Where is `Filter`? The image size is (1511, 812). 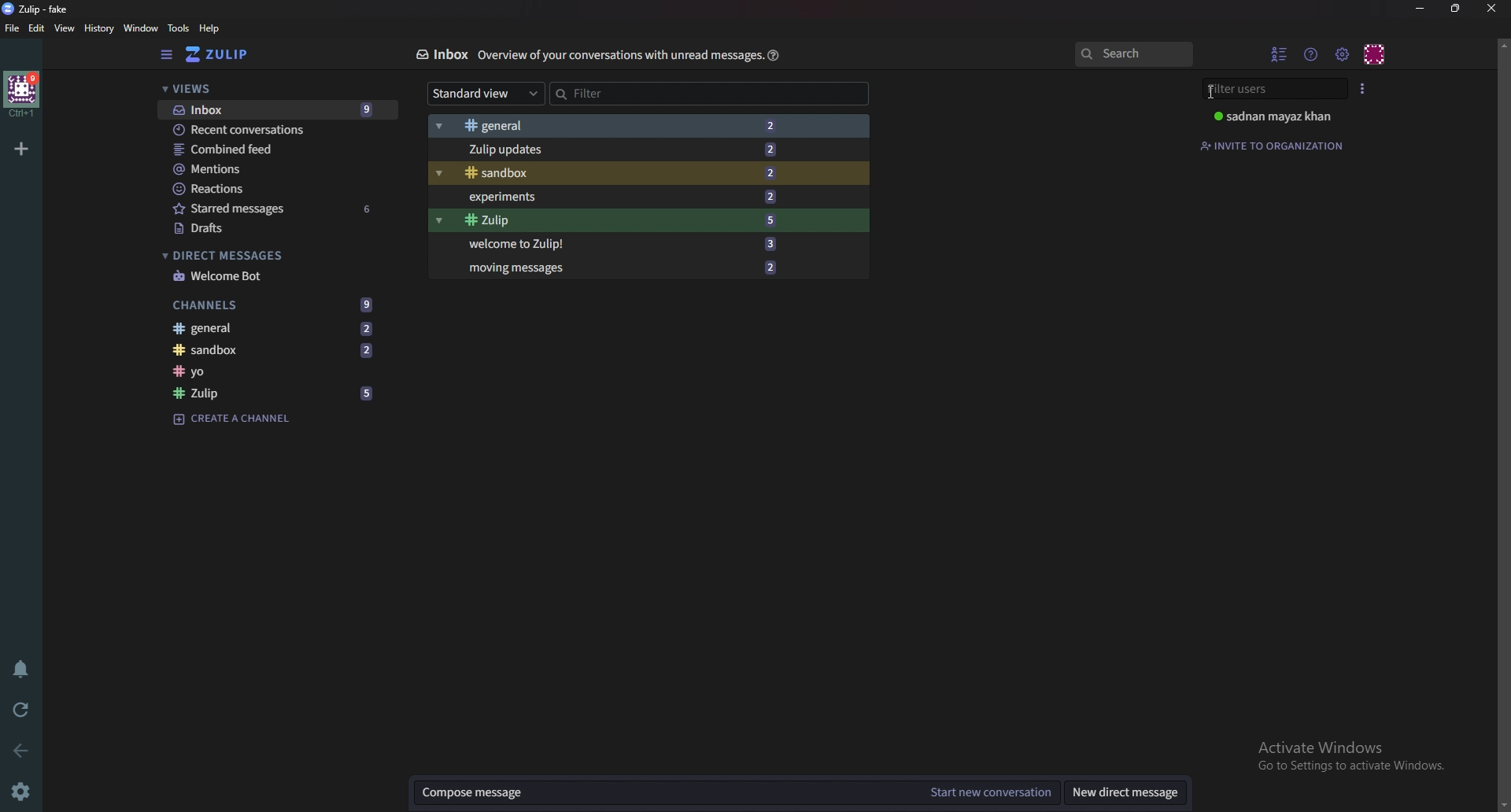
Filter is located at coordinates (617, 93).